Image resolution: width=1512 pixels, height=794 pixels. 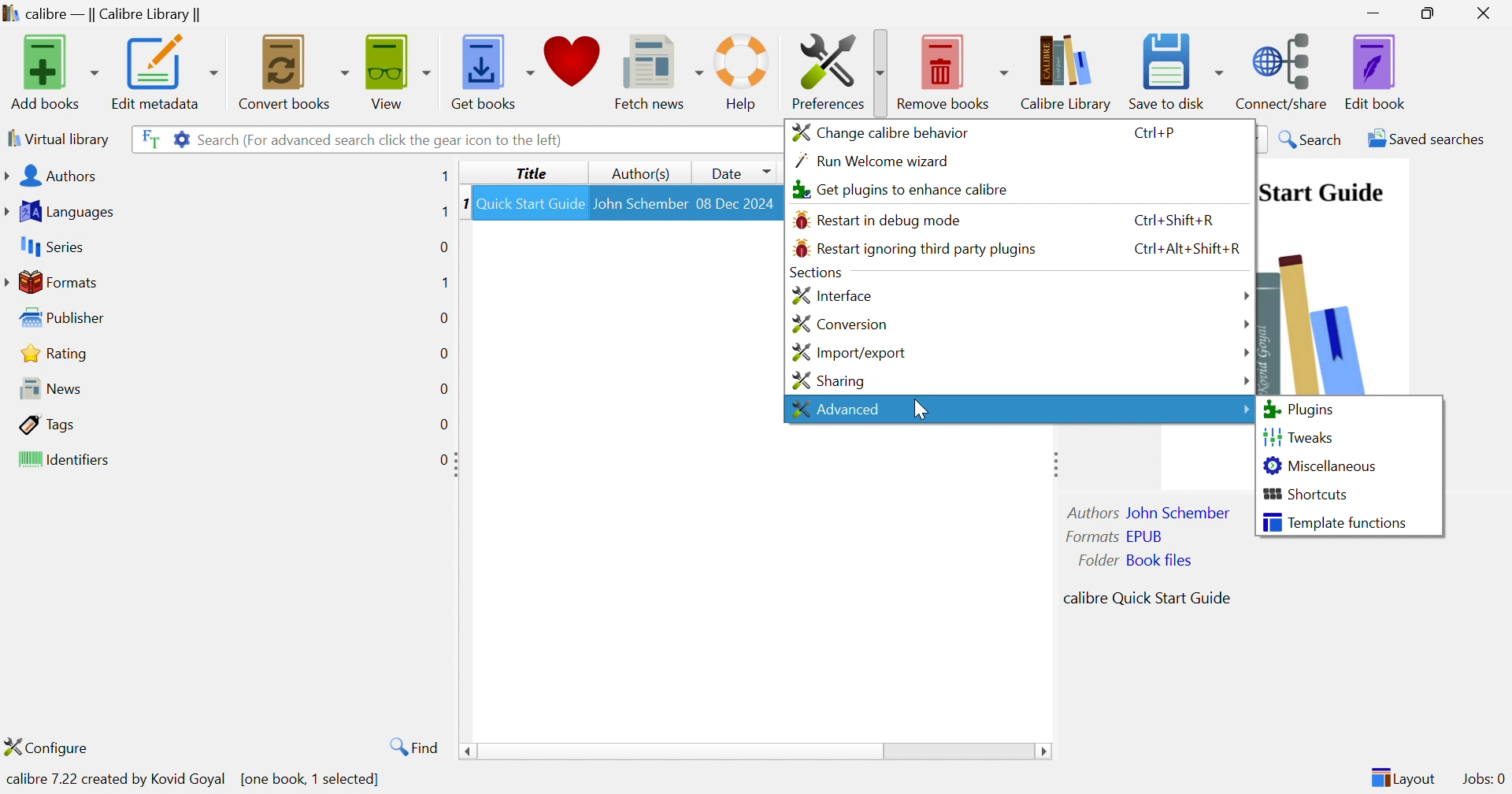 What do you see at coordinates (52, 72) in the screenshot?
I see `Add books` at bounding box center [52, 72].